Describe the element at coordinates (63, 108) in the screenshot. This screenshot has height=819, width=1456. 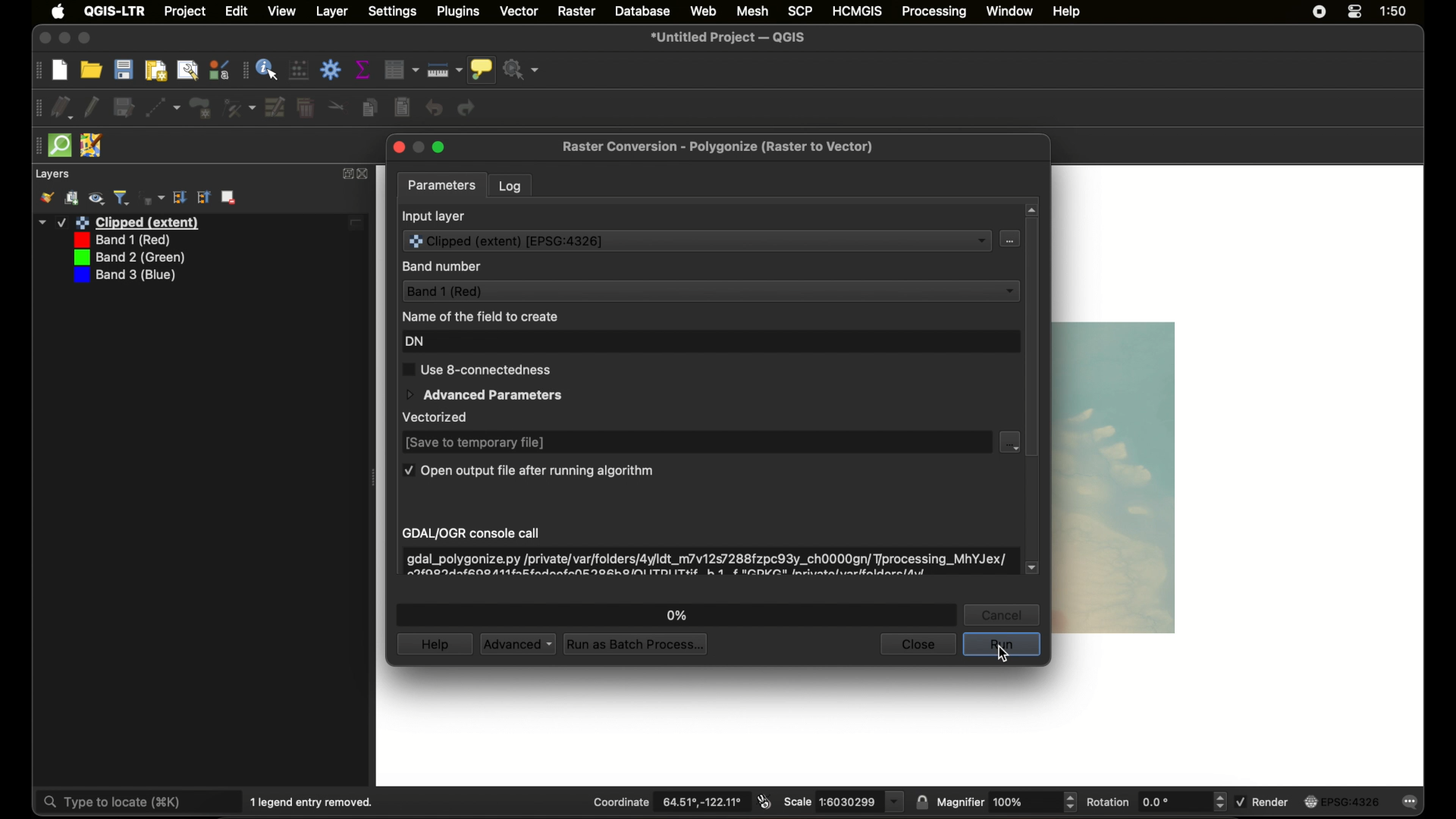
I see `current edits` at that location.